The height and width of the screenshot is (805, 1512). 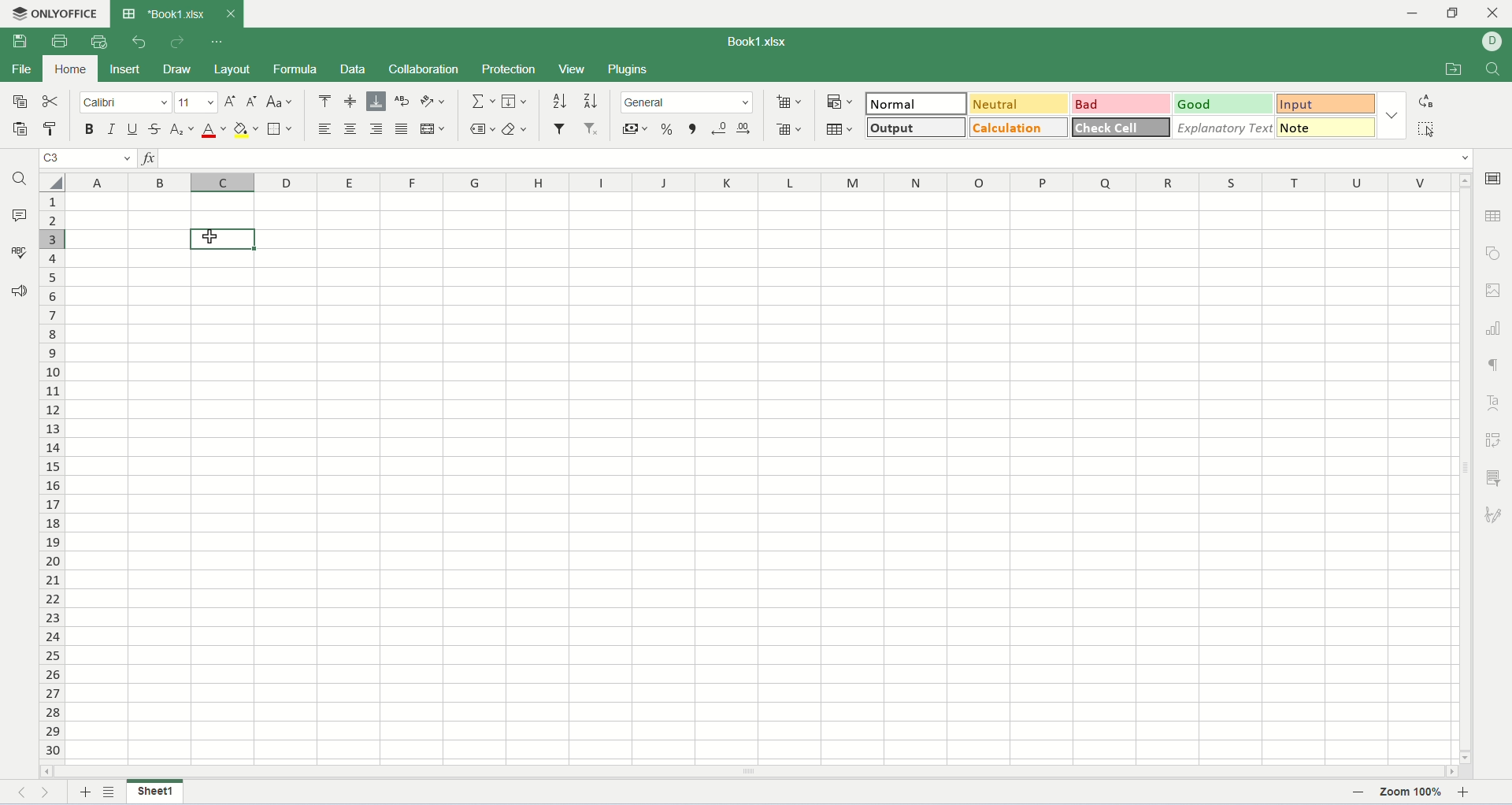 I want to click on signature settings, so click(x=1498, y=514).